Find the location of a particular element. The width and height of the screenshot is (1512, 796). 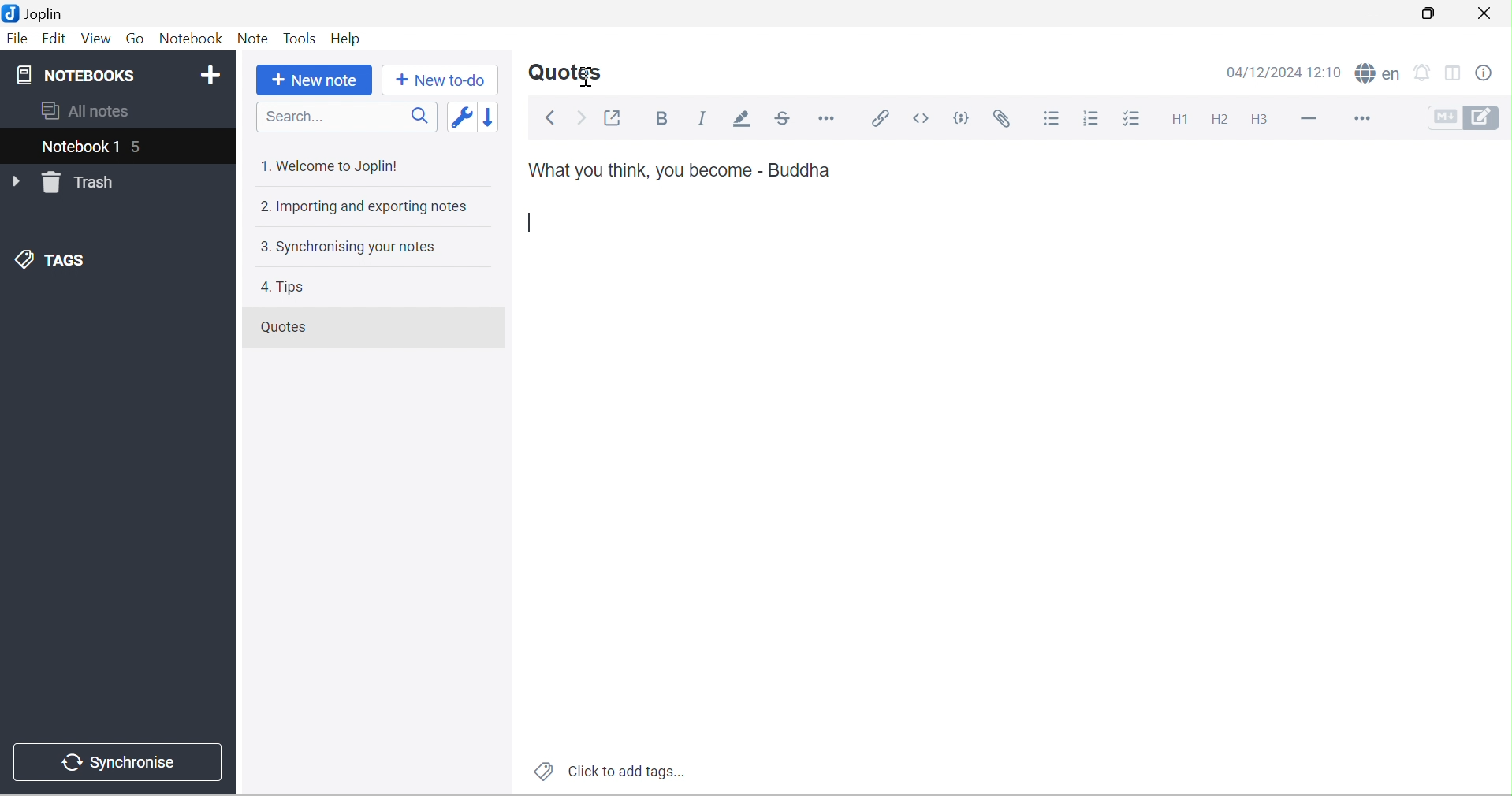

New to-do is located at coordinates (441, 83).